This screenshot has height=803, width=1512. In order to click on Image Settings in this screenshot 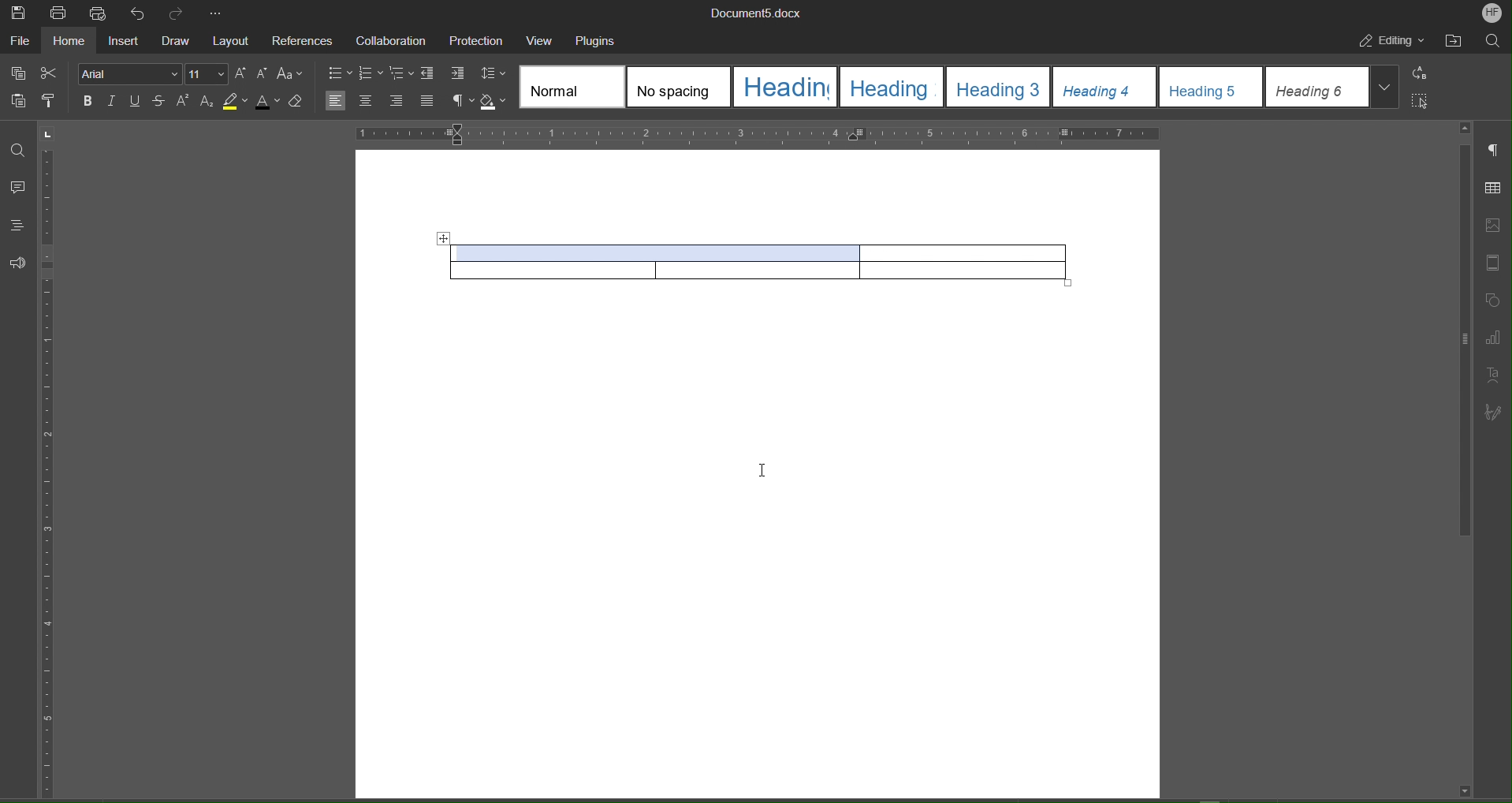, I will do `click(1495, 221)`.